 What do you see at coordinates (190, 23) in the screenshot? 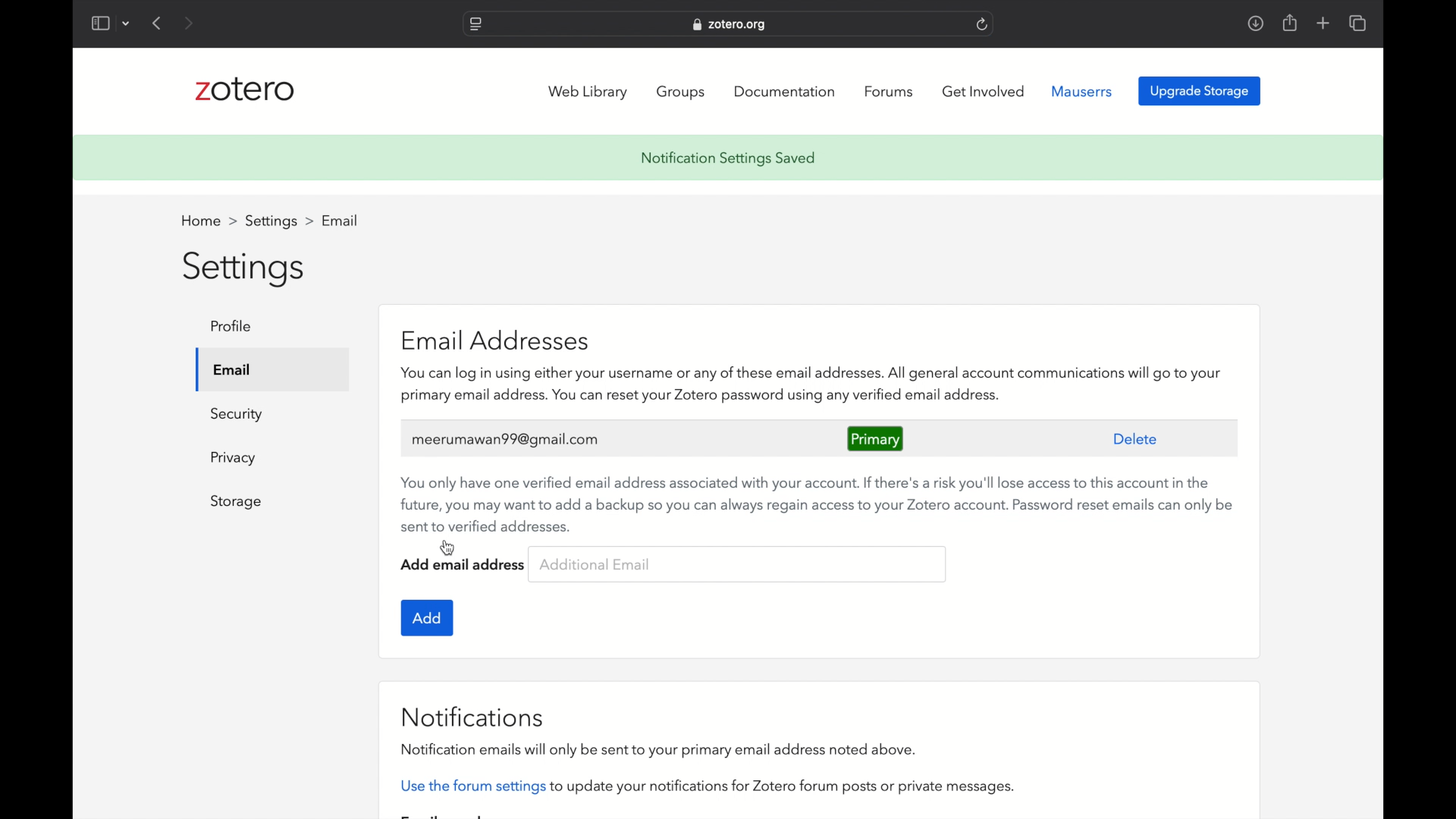
I see `next` at bounding box center [190, 23].